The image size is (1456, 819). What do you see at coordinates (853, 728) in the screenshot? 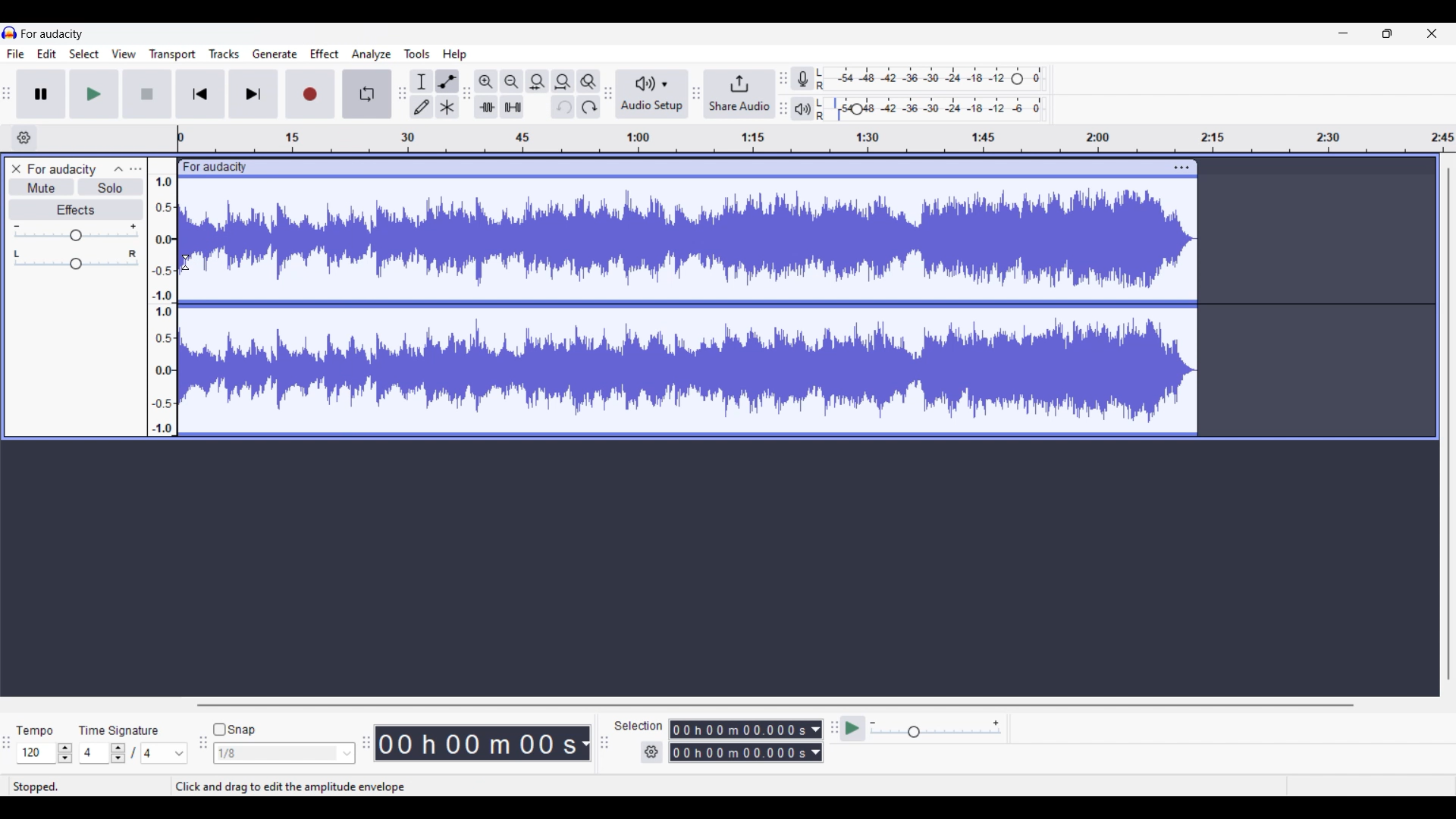
I see `play at speed` at bounding box center [853, 728].